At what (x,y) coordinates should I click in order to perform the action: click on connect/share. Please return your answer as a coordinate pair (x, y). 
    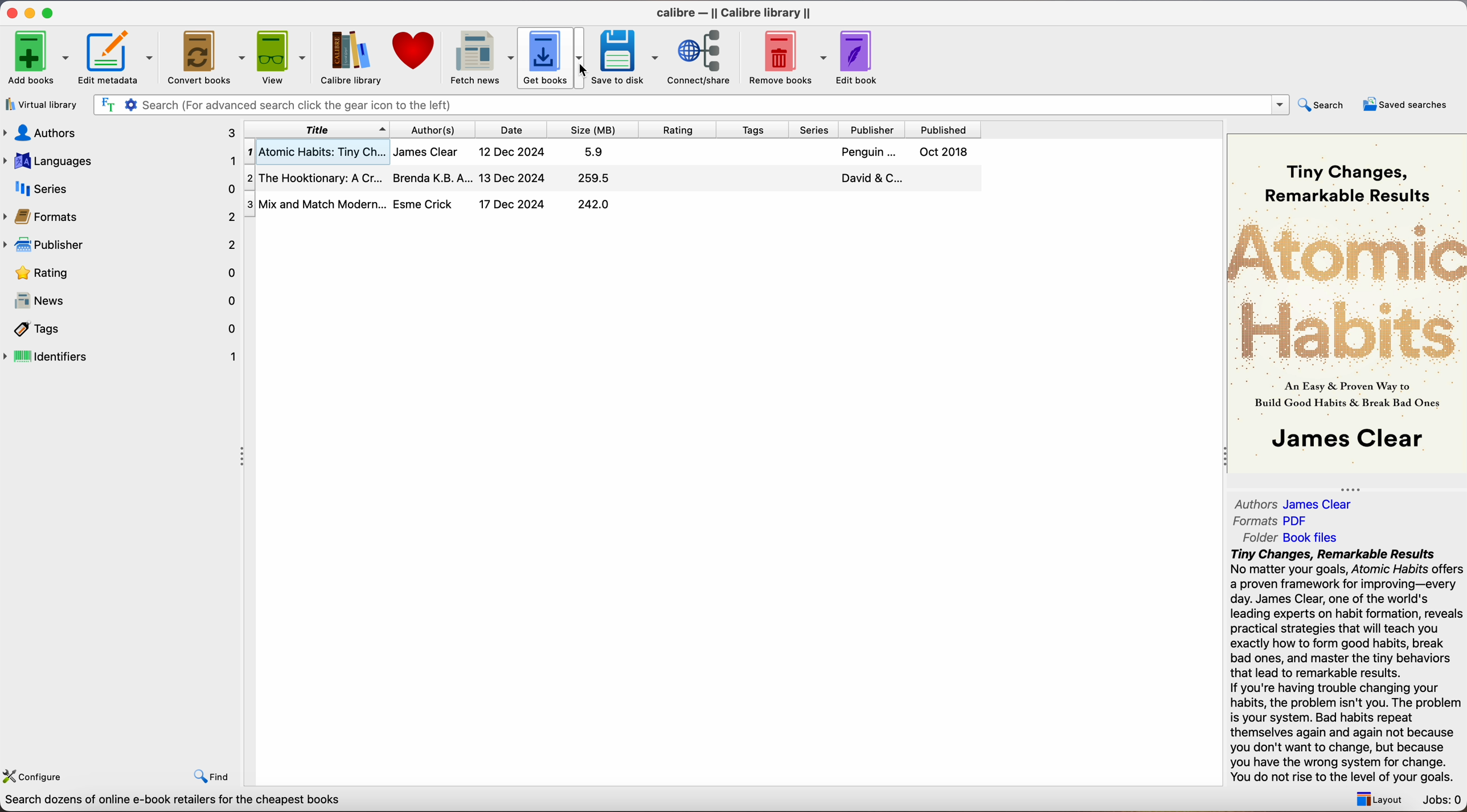
    Looking at the image, I should click on (703, 58).